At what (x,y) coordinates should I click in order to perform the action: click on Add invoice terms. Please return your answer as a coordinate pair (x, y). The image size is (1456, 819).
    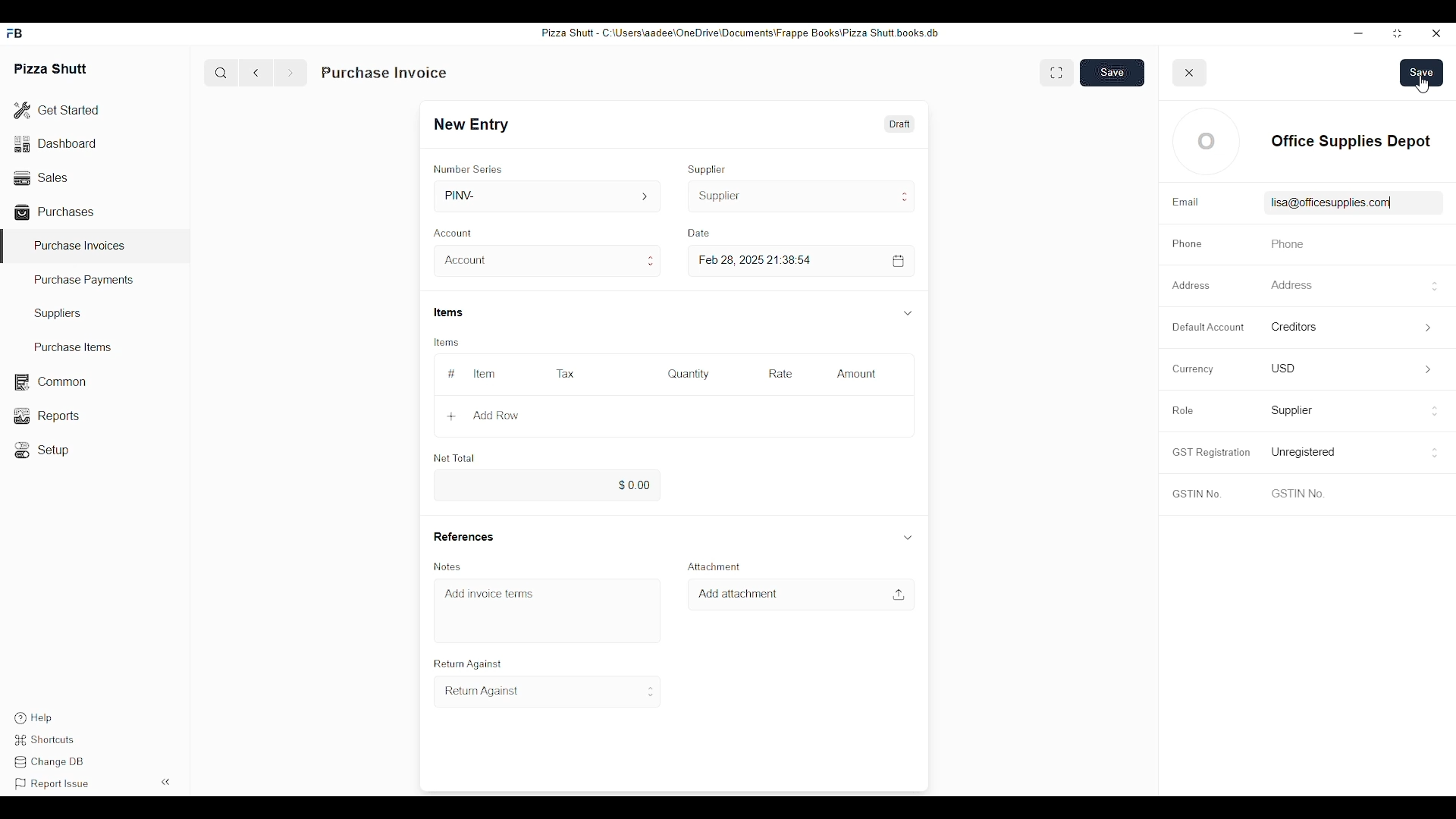
    Looking at the image, I should click on (490, 593).